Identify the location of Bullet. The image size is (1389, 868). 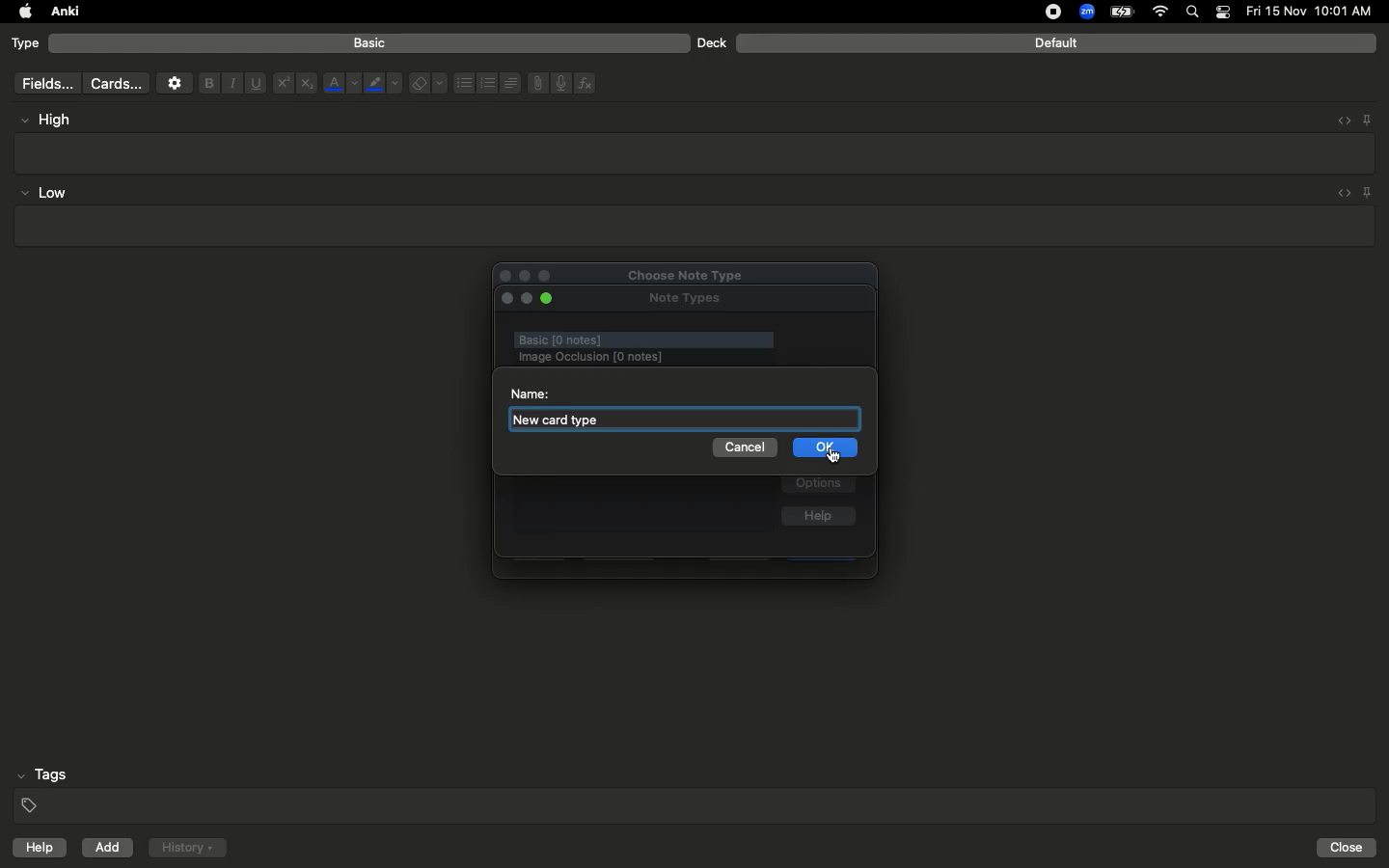
(463, 83).